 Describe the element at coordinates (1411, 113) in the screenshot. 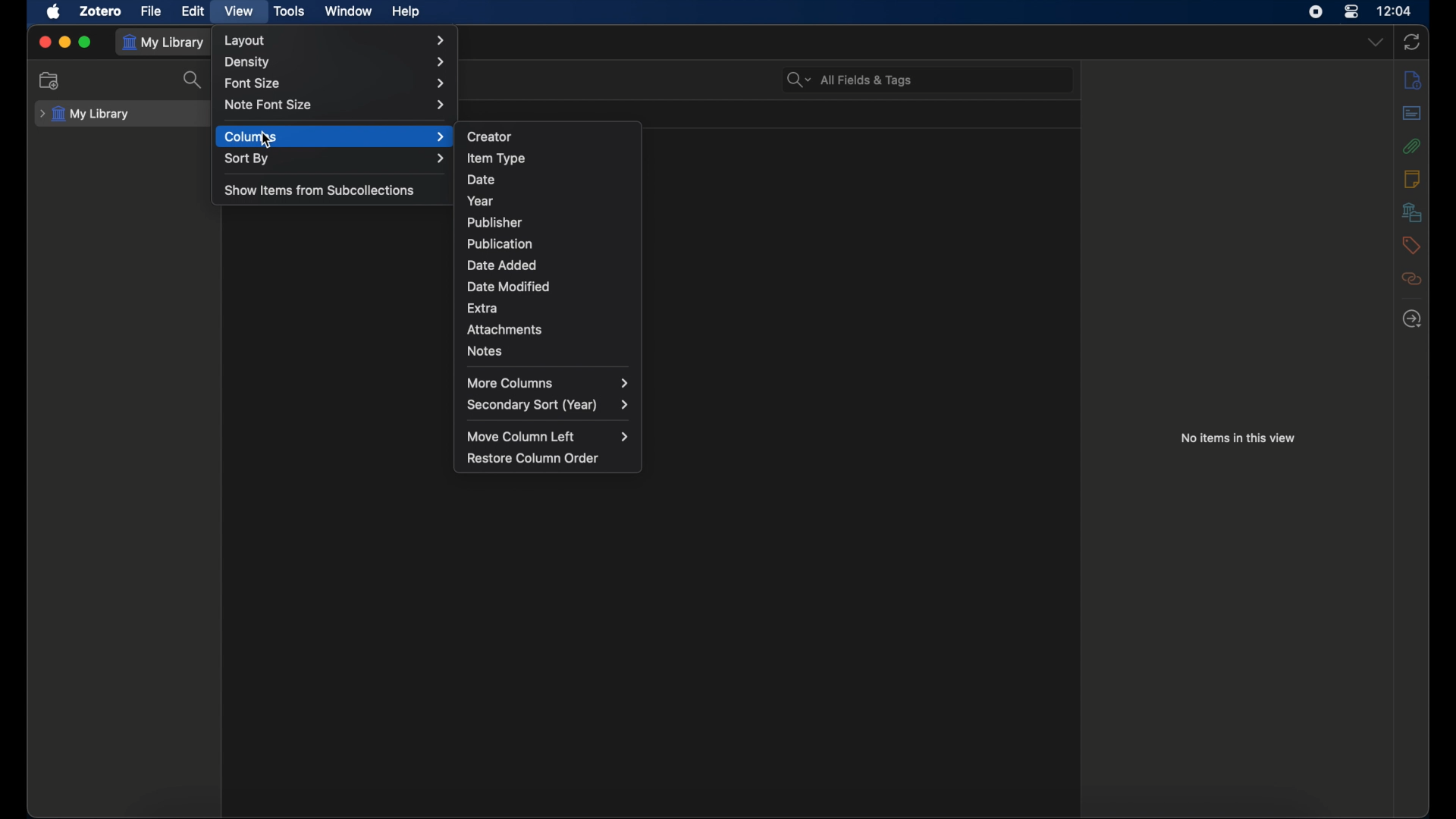

I see `abstract` at that location.